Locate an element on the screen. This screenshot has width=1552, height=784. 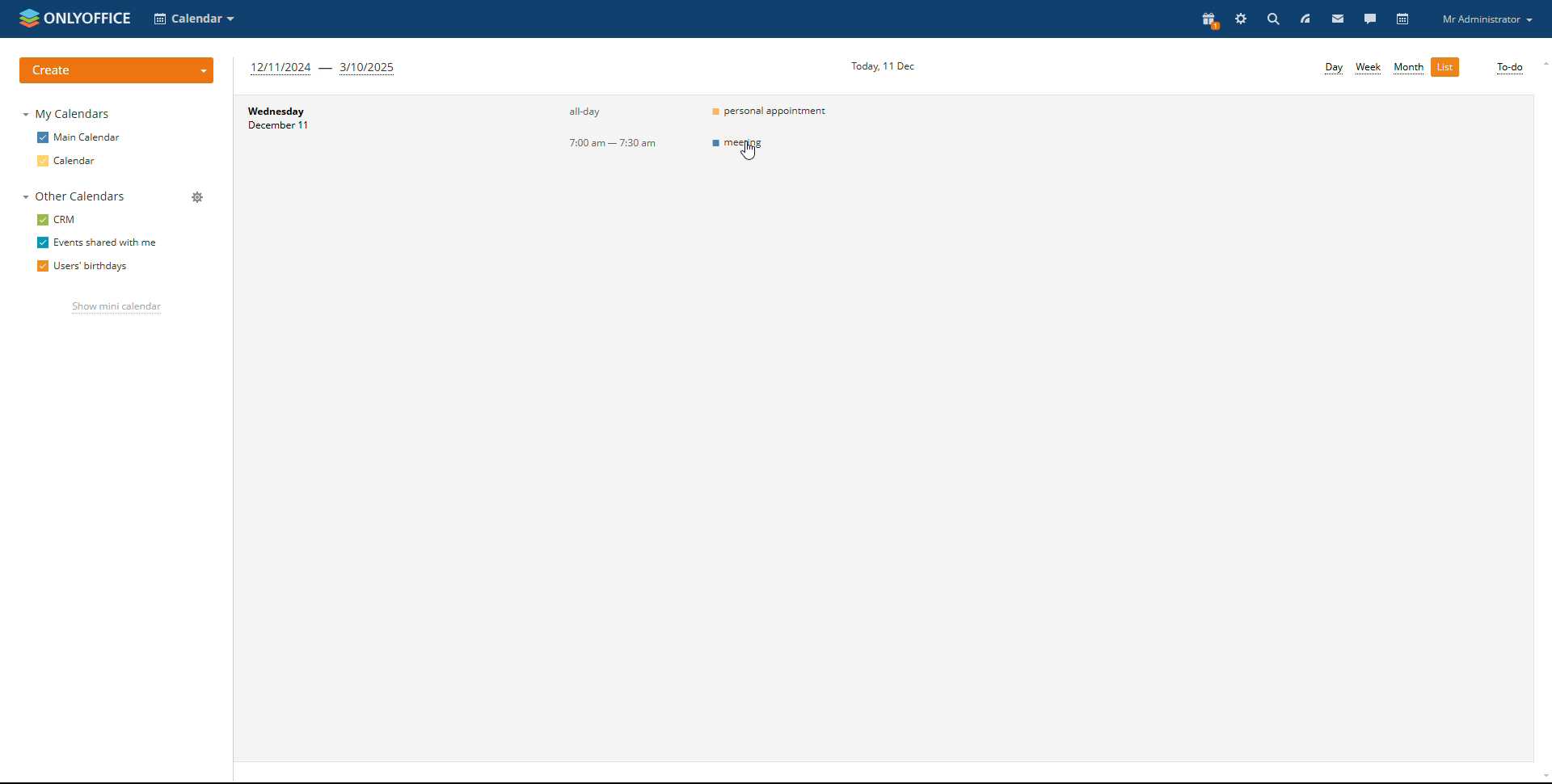
events shared with me is located at coordinates (96, 243).